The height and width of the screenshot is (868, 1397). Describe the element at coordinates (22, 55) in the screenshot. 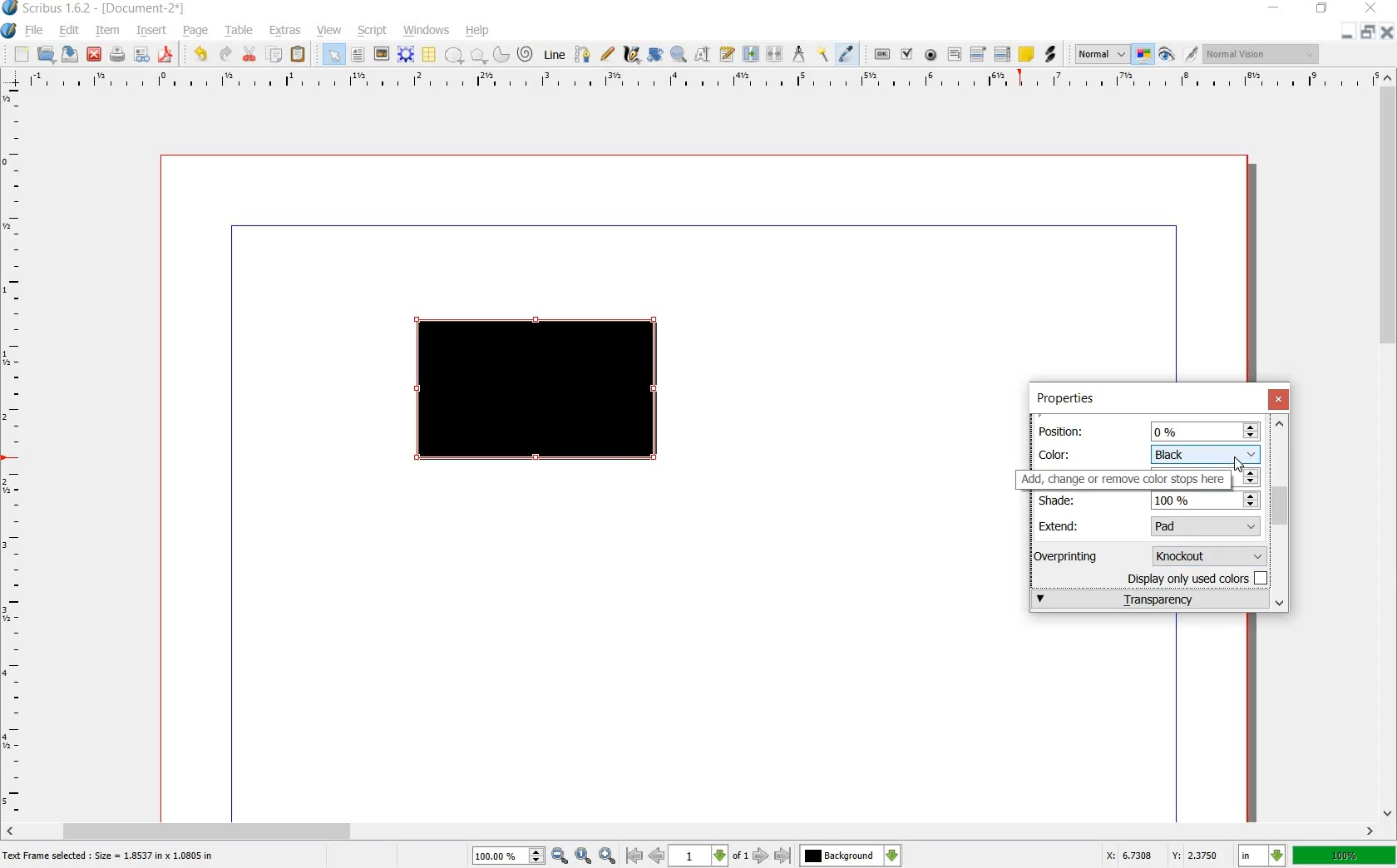

I see `new` at that location.